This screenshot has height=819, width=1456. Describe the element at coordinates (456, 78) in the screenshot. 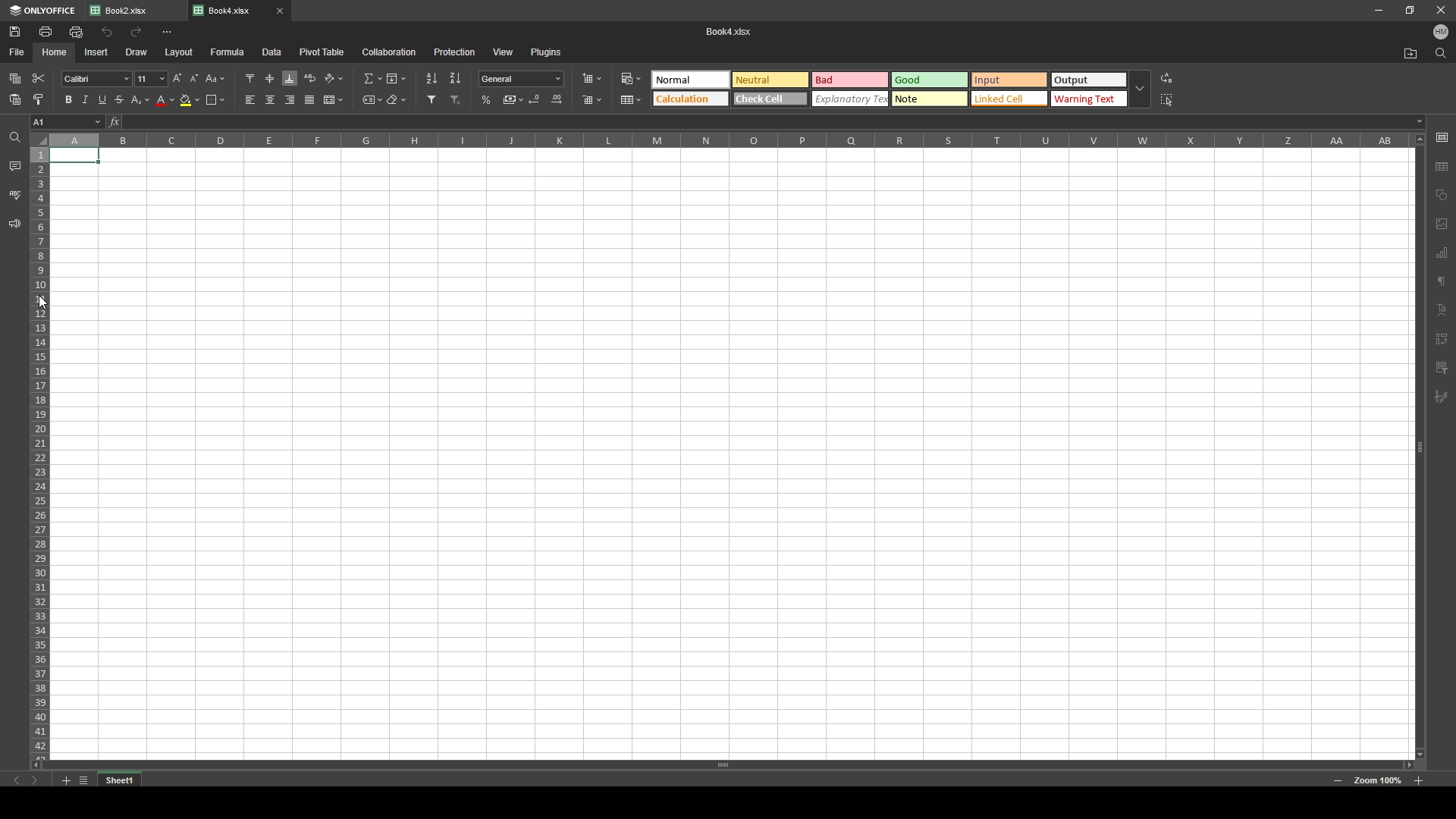

I see `sort descending` at that location.